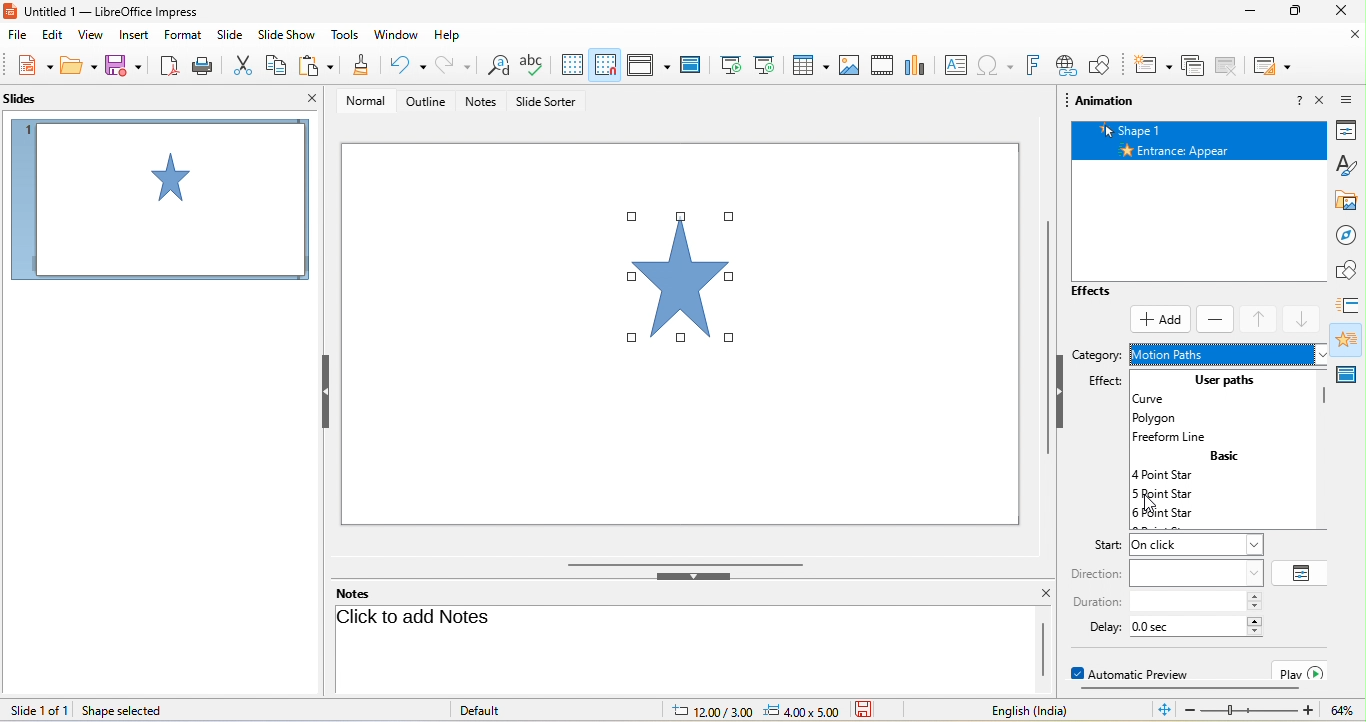 The height and width of the screenshot is (722, 1366). What do you see at coordinates (1351, 236) in the screenshot?
I see `navigator` at bounding box center [1351, 236].